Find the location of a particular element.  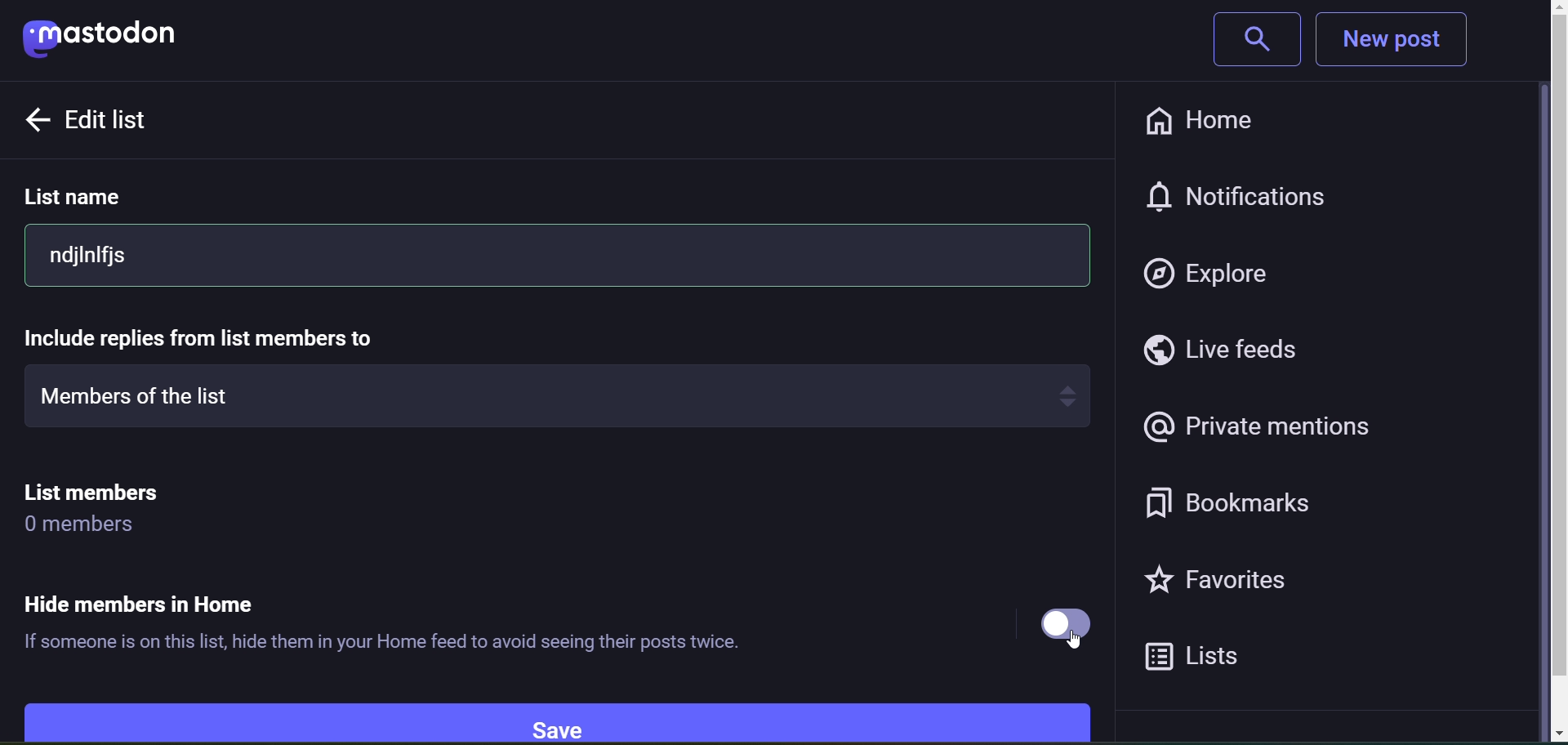

members of the list is located at coordinates (559, 399).